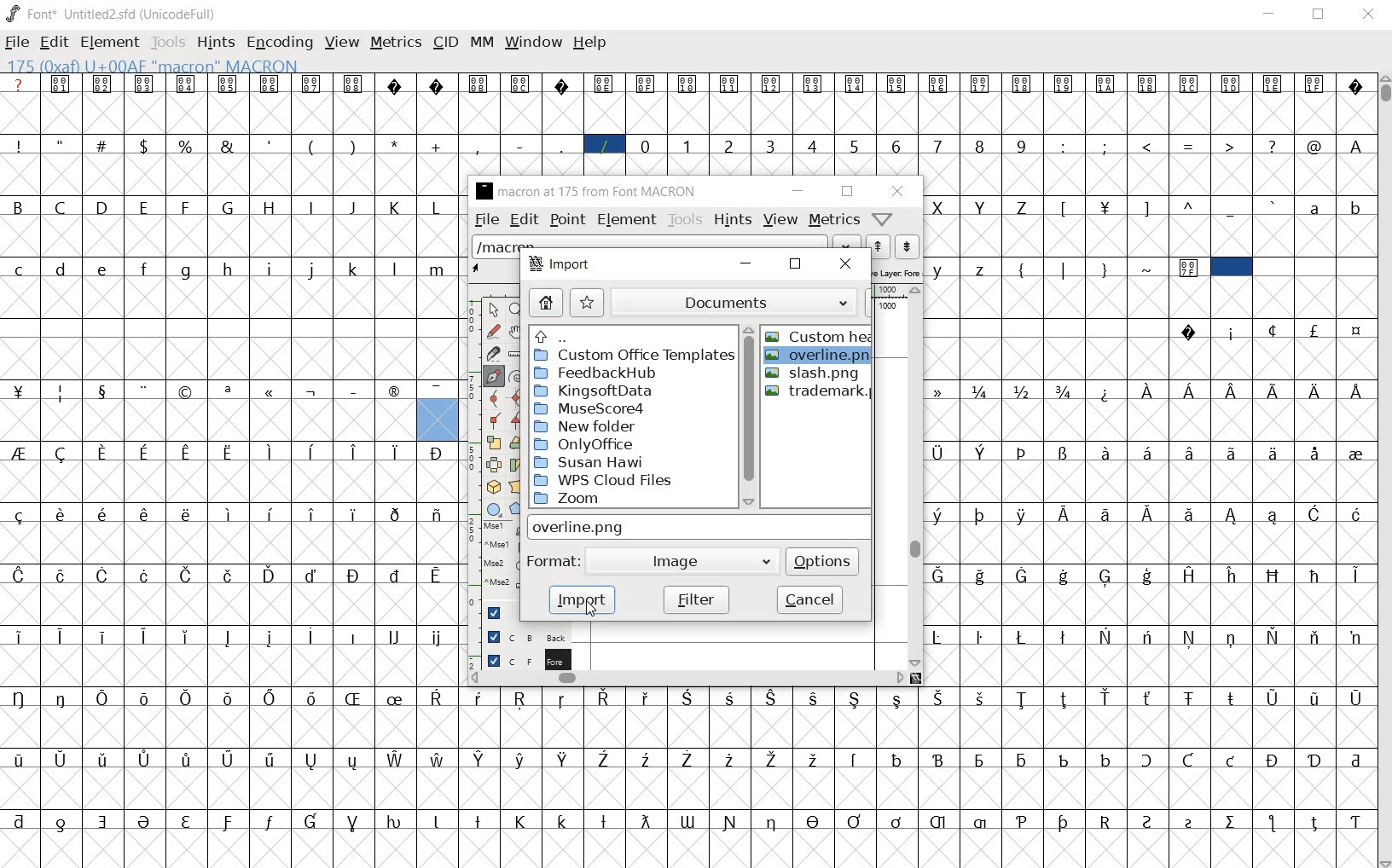 This screenshot has height=868, width=1392. I want to click on Symbol, so click(146, 758).